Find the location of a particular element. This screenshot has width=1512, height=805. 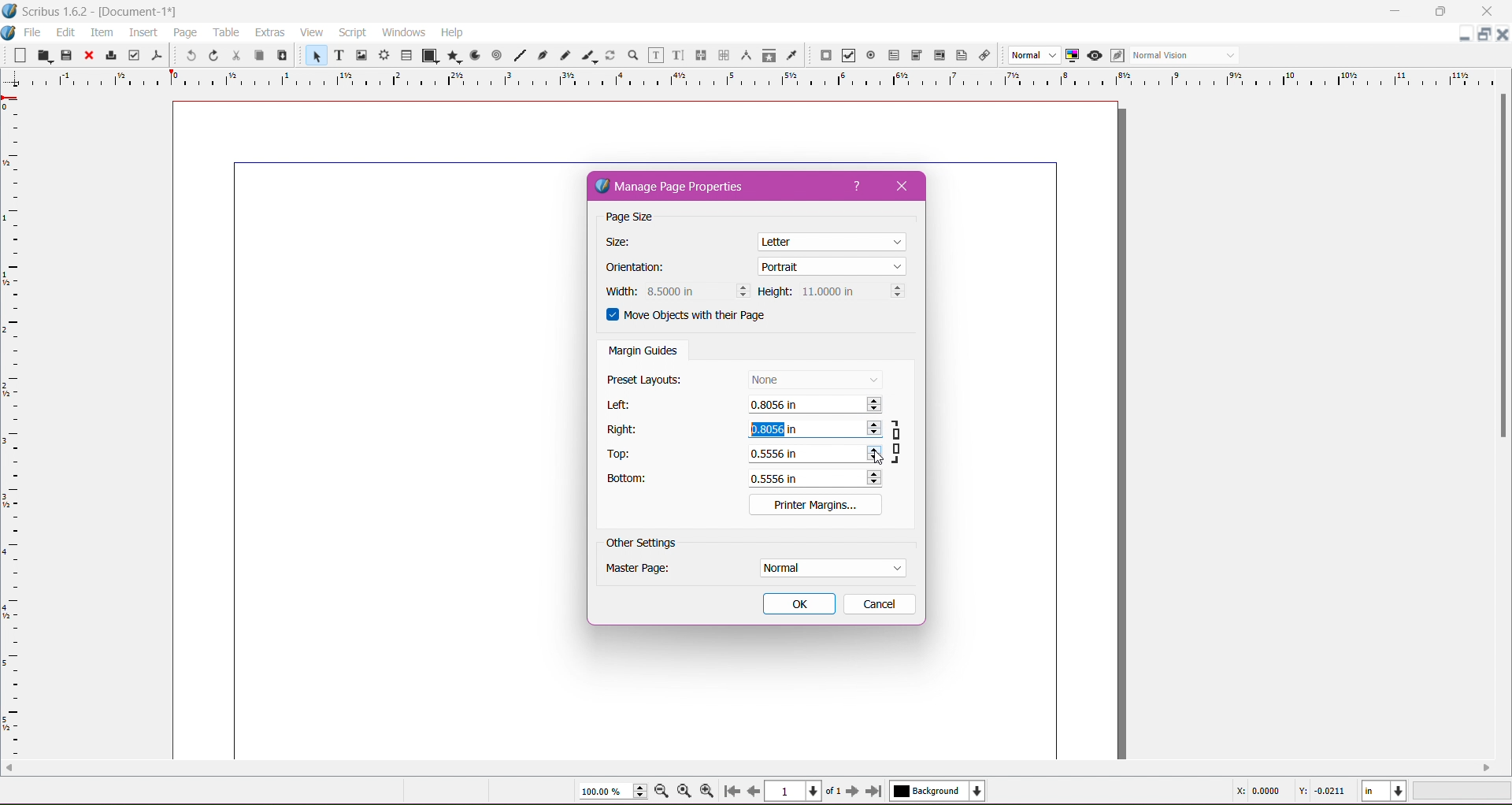

Width is located at coordinates (618, 291).